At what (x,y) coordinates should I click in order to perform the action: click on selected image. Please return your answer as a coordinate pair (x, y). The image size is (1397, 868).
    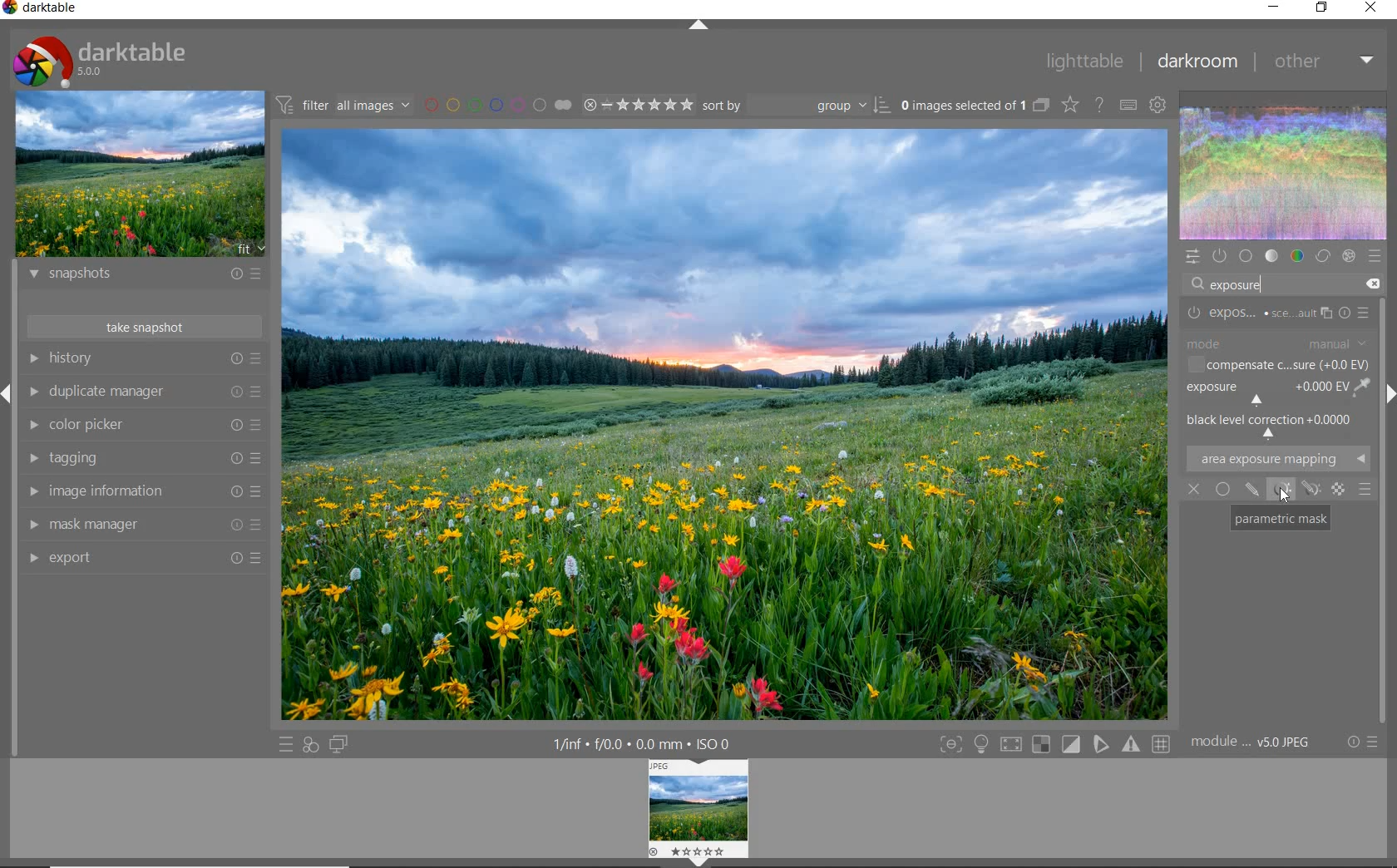
    Looking at the image, I should click on (725, 425).